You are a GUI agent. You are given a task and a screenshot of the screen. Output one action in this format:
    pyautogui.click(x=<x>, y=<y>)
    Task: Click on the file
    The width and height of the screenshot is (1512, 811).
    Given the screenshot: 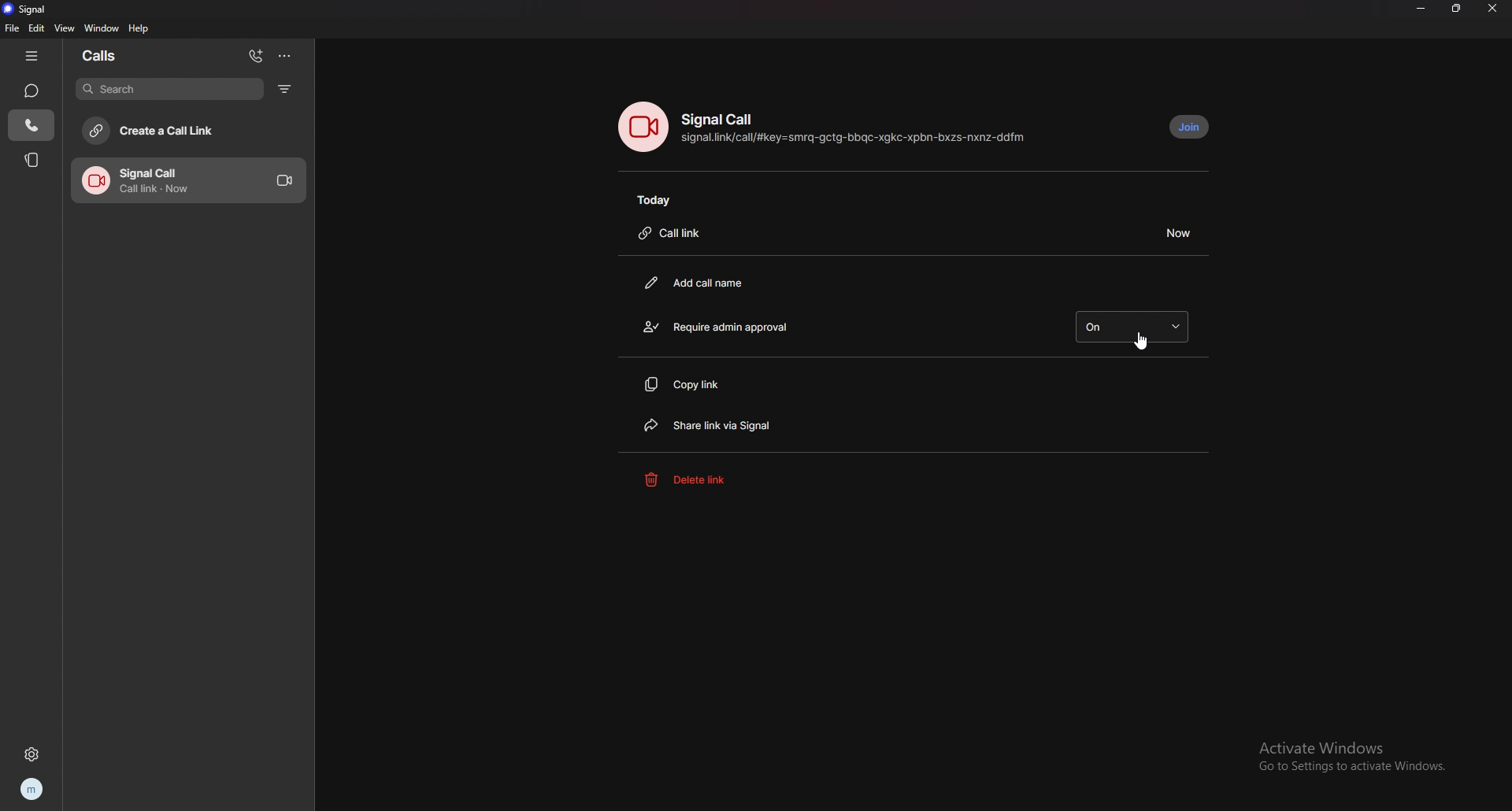 What is the action you would take?
    pyautogui.click(x=13, y=28)
    